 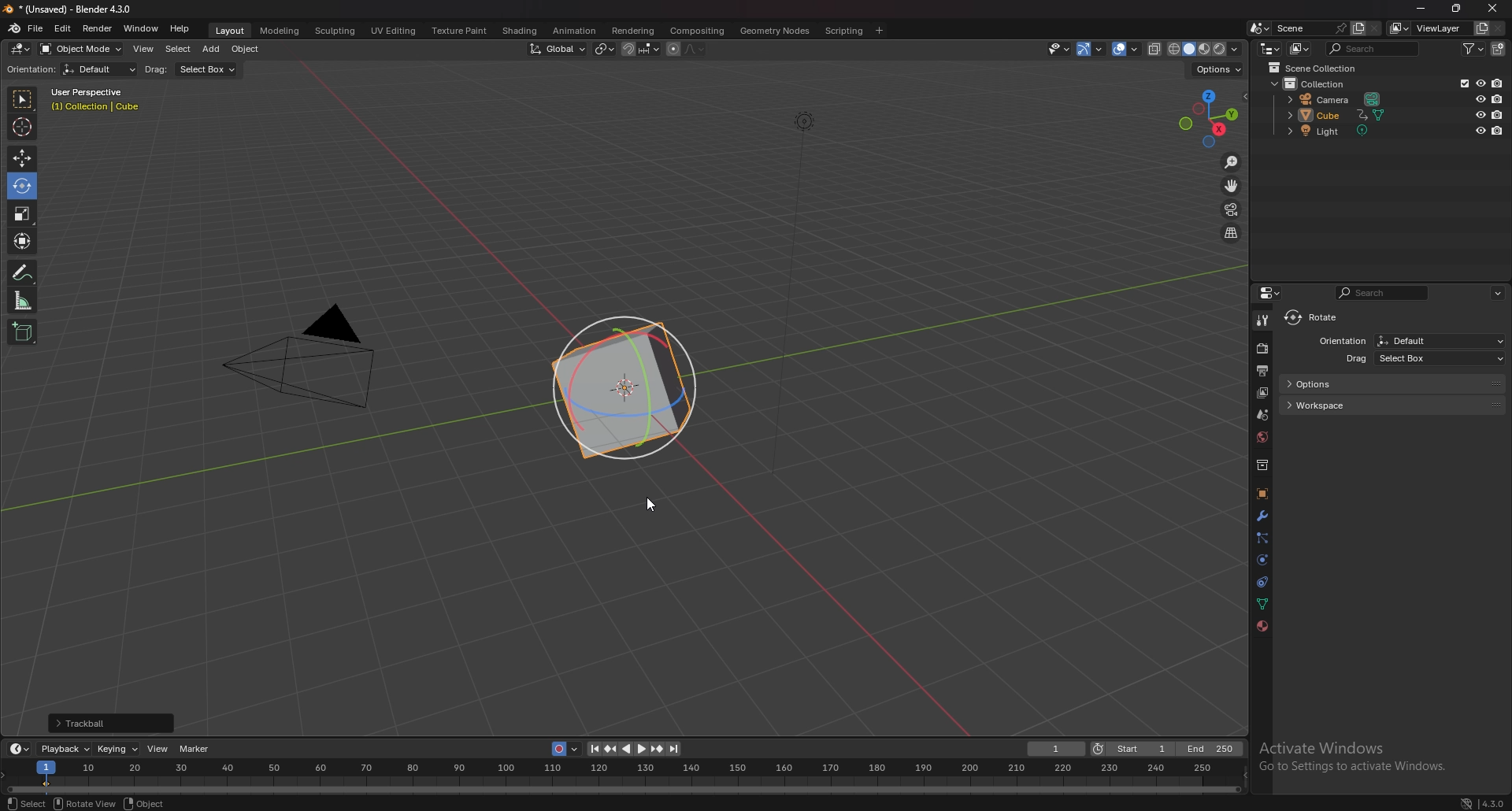 What do you see at coordinates (606, 48) in the screenshot?
I see `transform pivot point` at bounding box center [606, 48].